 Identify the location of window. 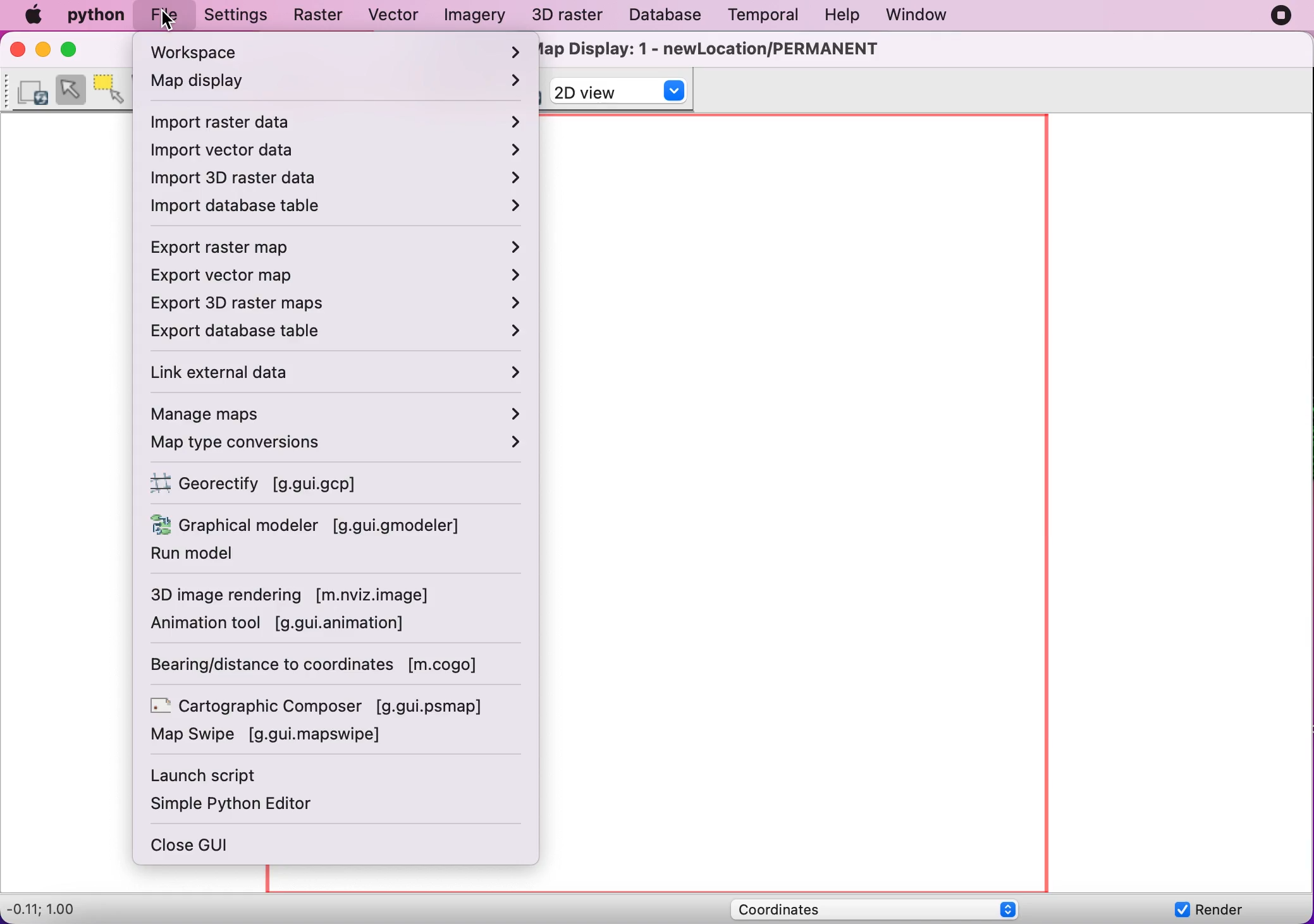
(927, 15).